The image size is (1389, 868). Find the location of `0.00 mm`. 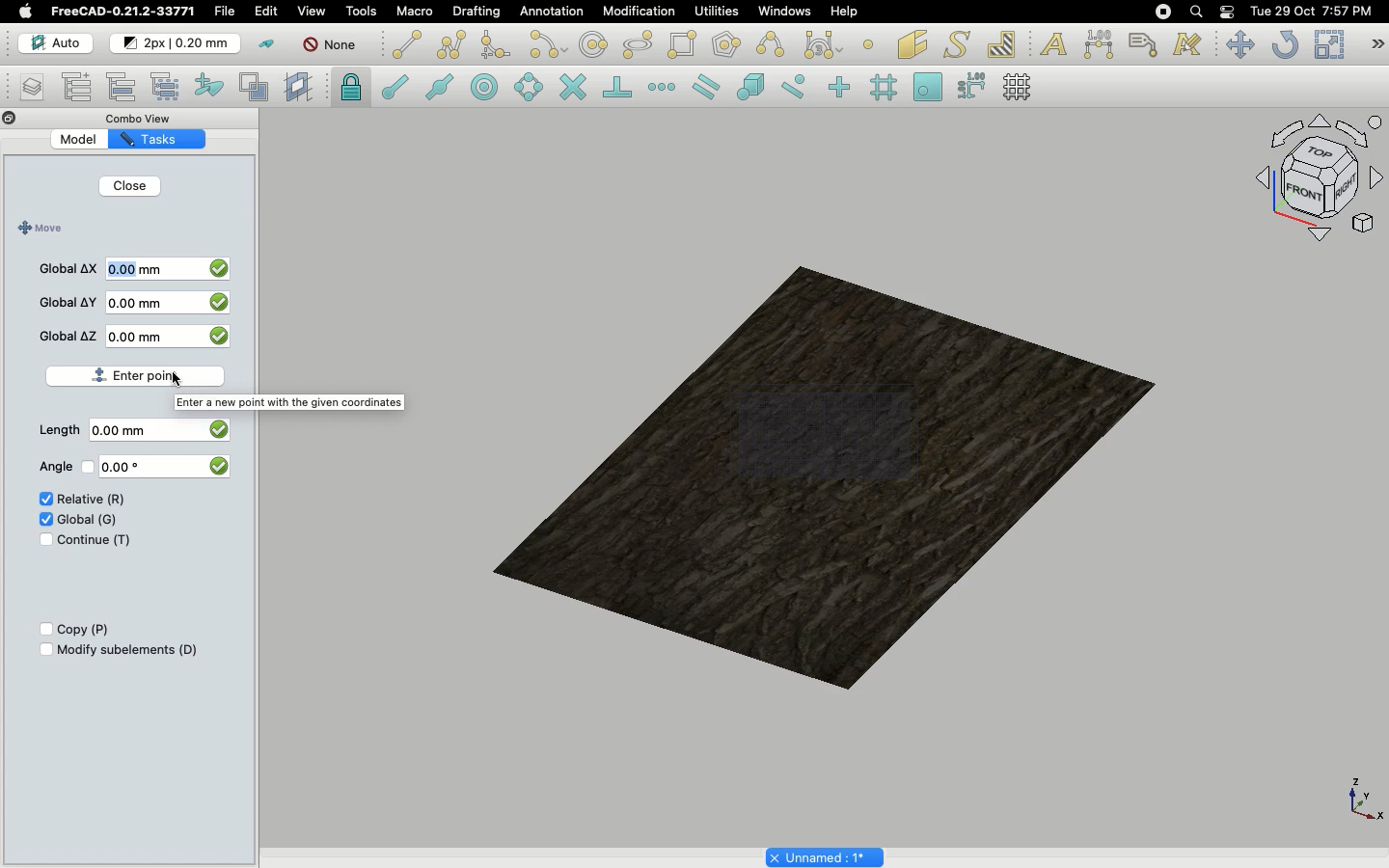

0.00 mm is located at coordinates (162, 431).